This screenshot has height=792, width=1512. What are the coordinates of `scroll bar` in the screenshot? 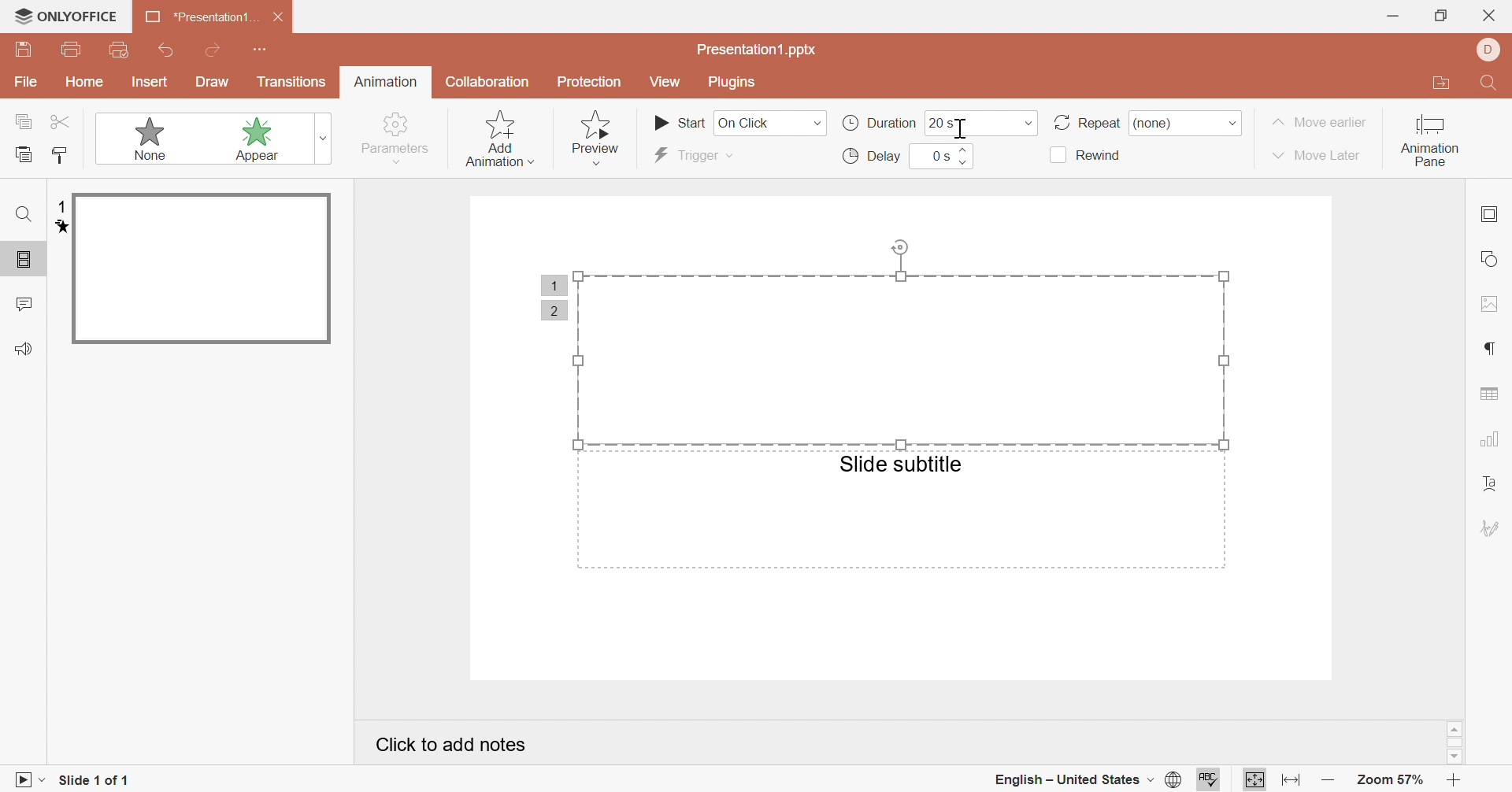 It's located at (1455, 744).